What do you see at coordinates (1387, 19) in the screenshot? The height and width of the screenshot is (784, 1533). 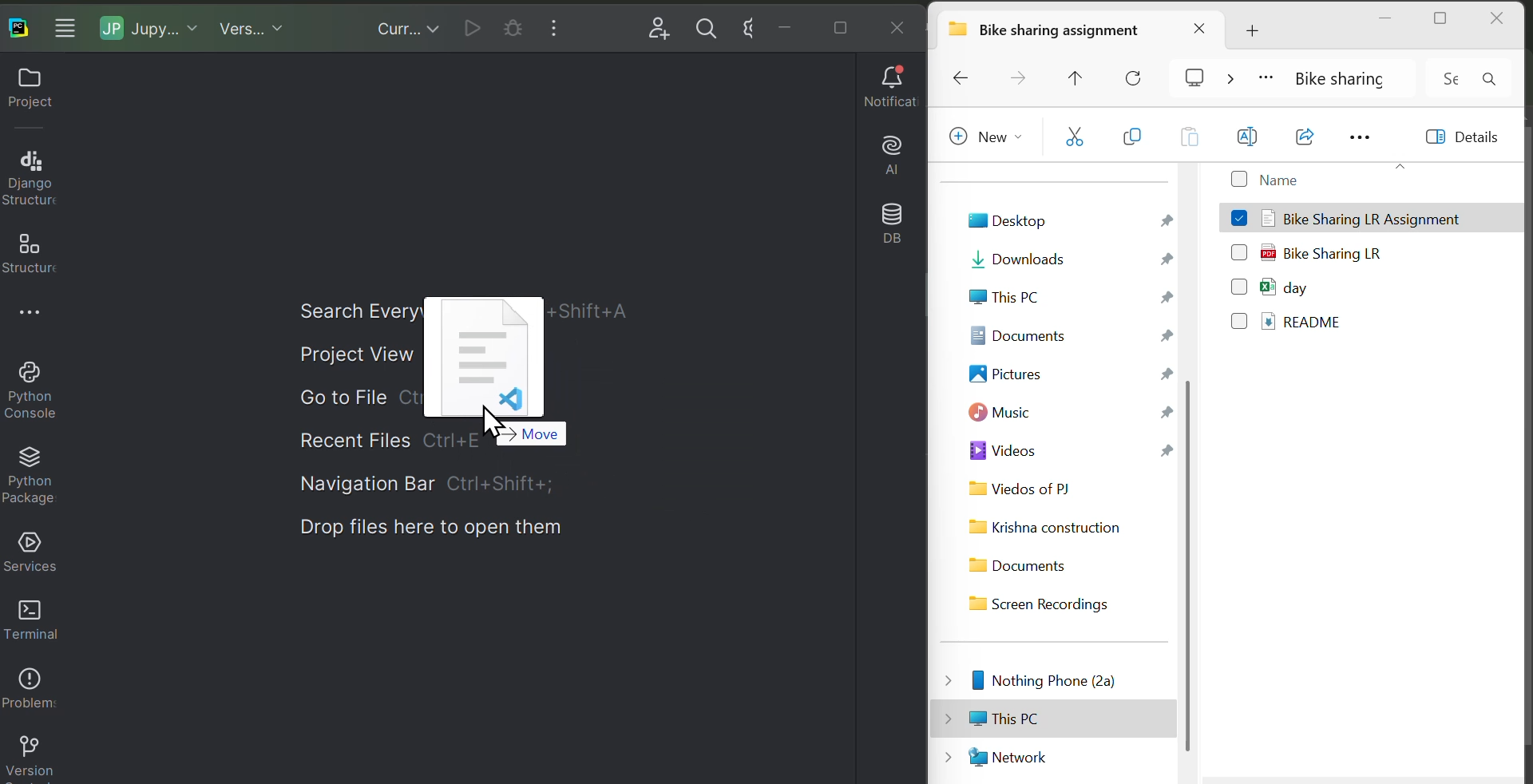 I see `minimise` at bounding box center [1387, 19].